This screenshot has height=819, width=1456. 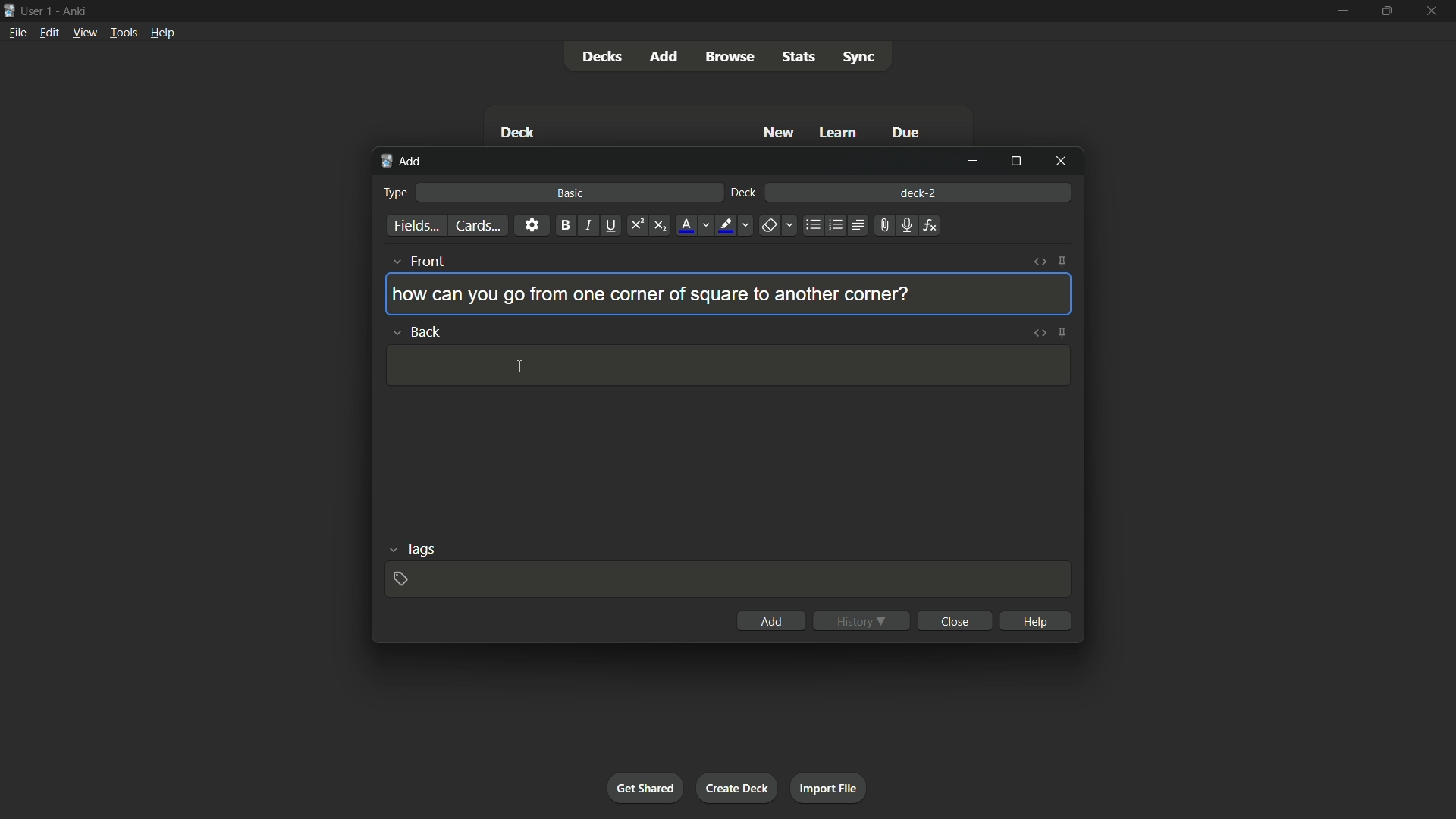 What do you see at coordinates (649, 294) in the screenshot?
I see `how can you go from one corner of square to another corner?` at bounding box center [649, 294].